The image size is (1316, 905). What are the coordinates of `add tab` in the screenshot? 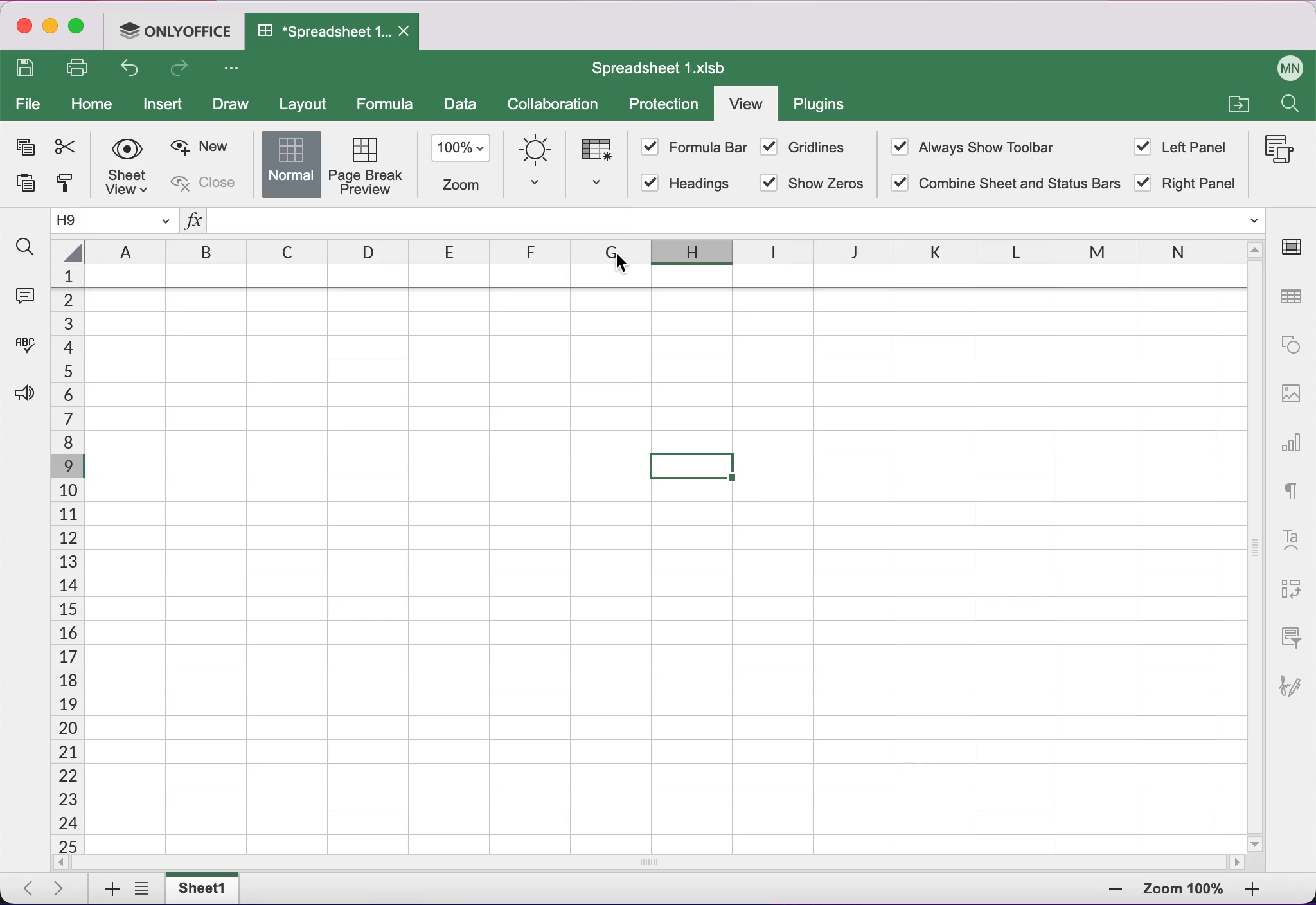 It's located at (107, 890).